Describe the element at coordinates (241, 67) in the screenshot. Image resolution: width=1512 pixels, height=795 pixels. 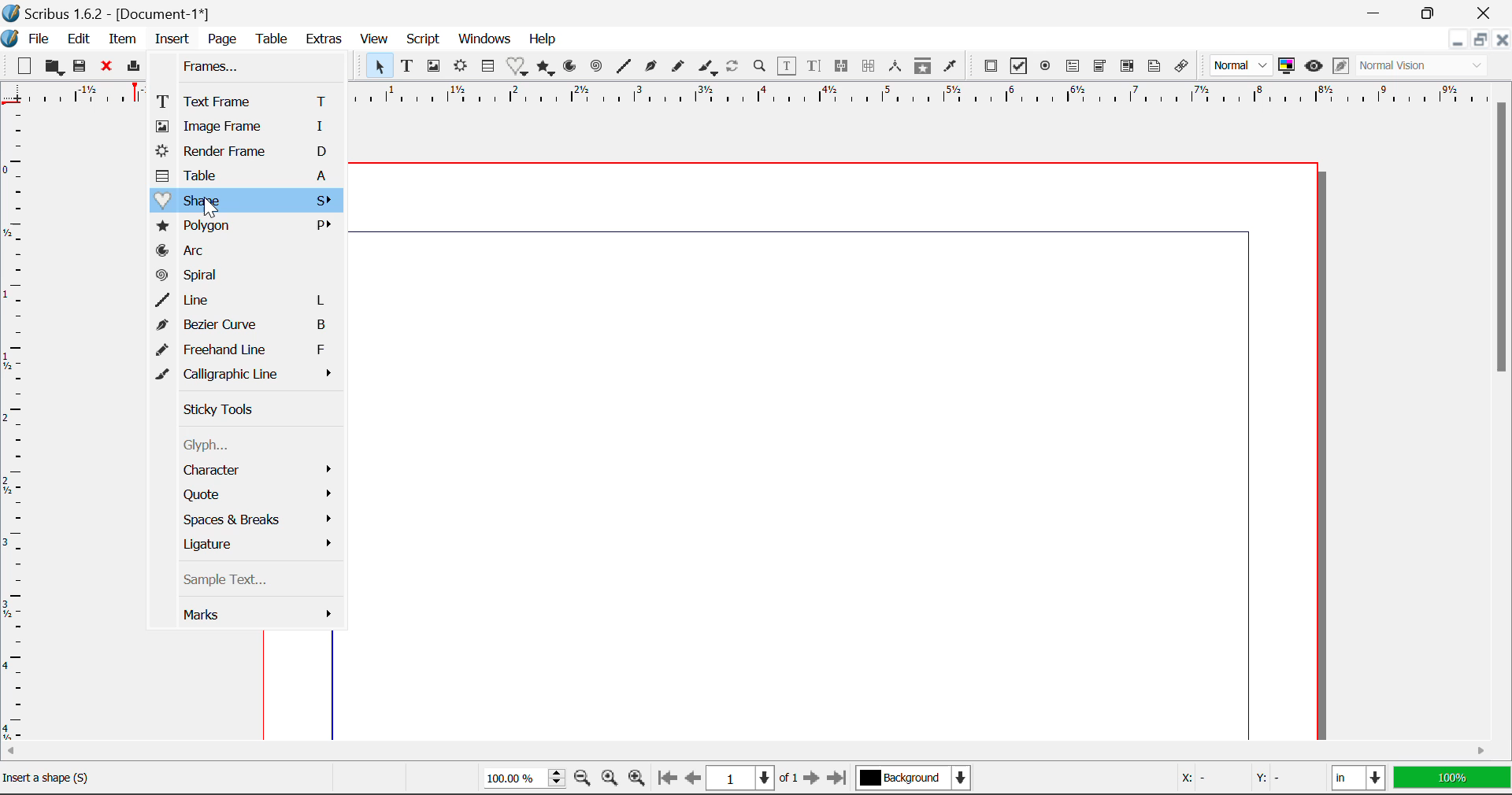
I see `Frames` at that location.